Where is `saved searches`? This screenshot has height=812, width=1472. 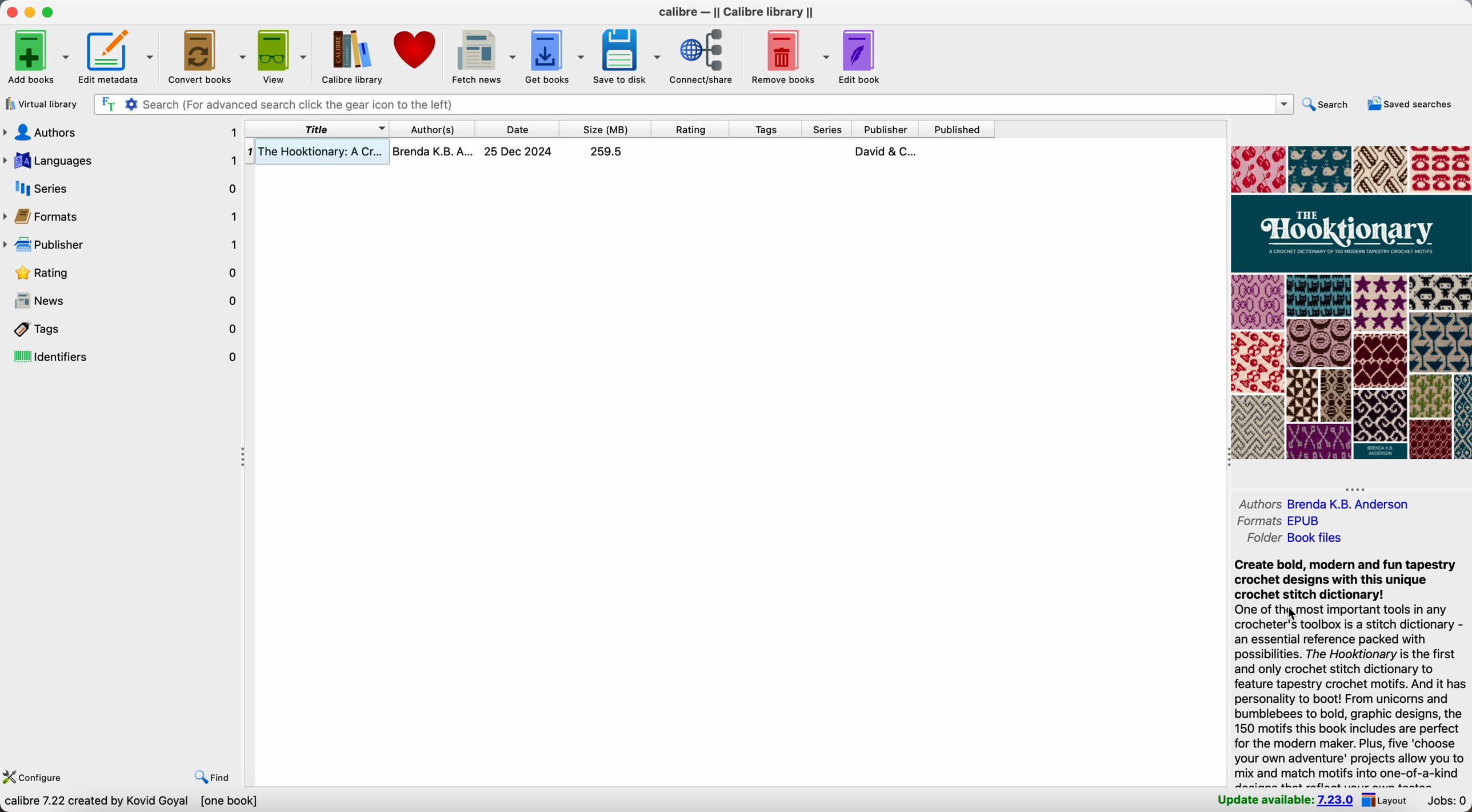
saved searches is located at coordinates (1410, 104).